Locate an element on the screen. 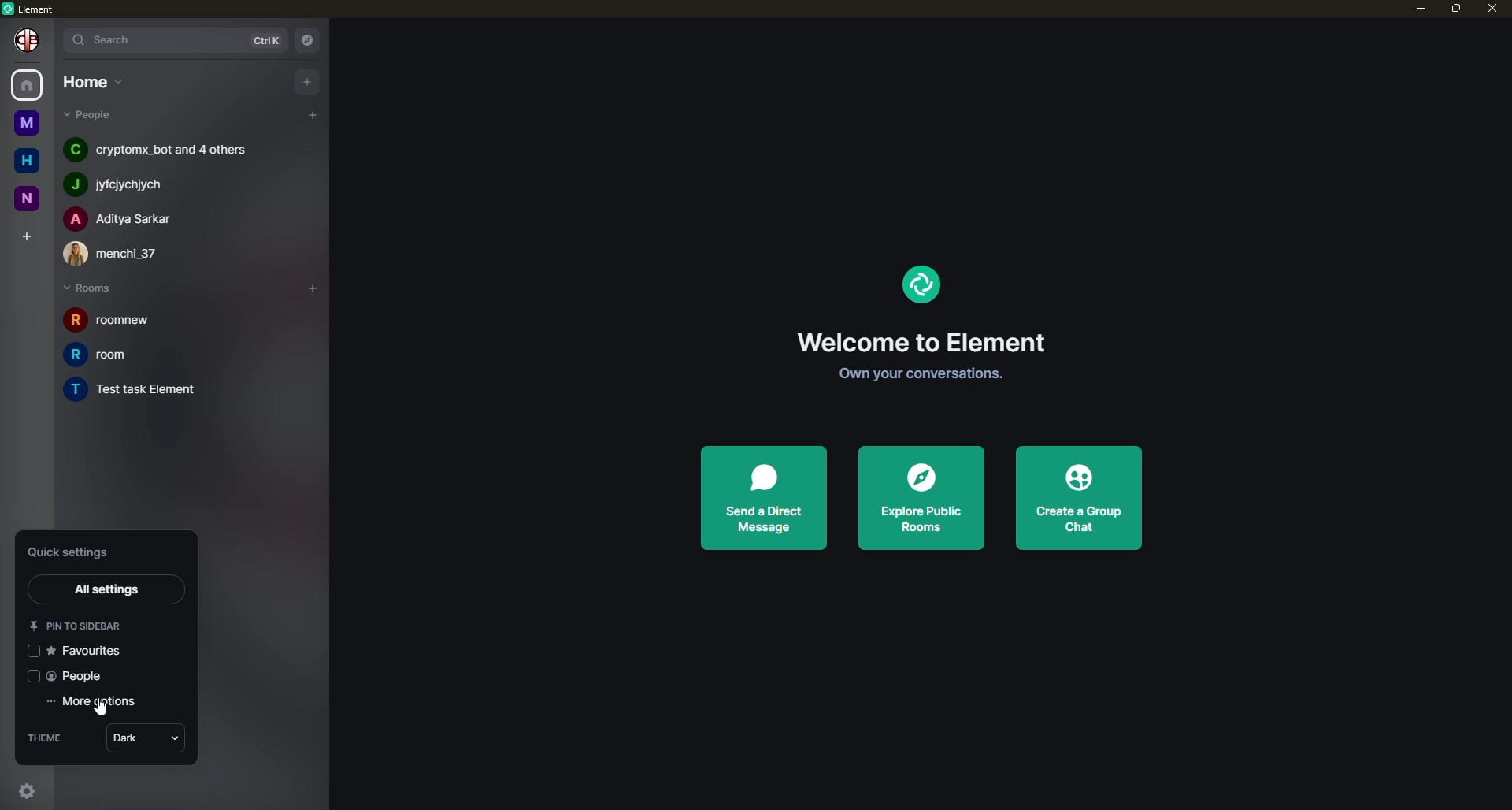 This screenshot has width=1512, height=810. dark is located at coordinates (144, 738).